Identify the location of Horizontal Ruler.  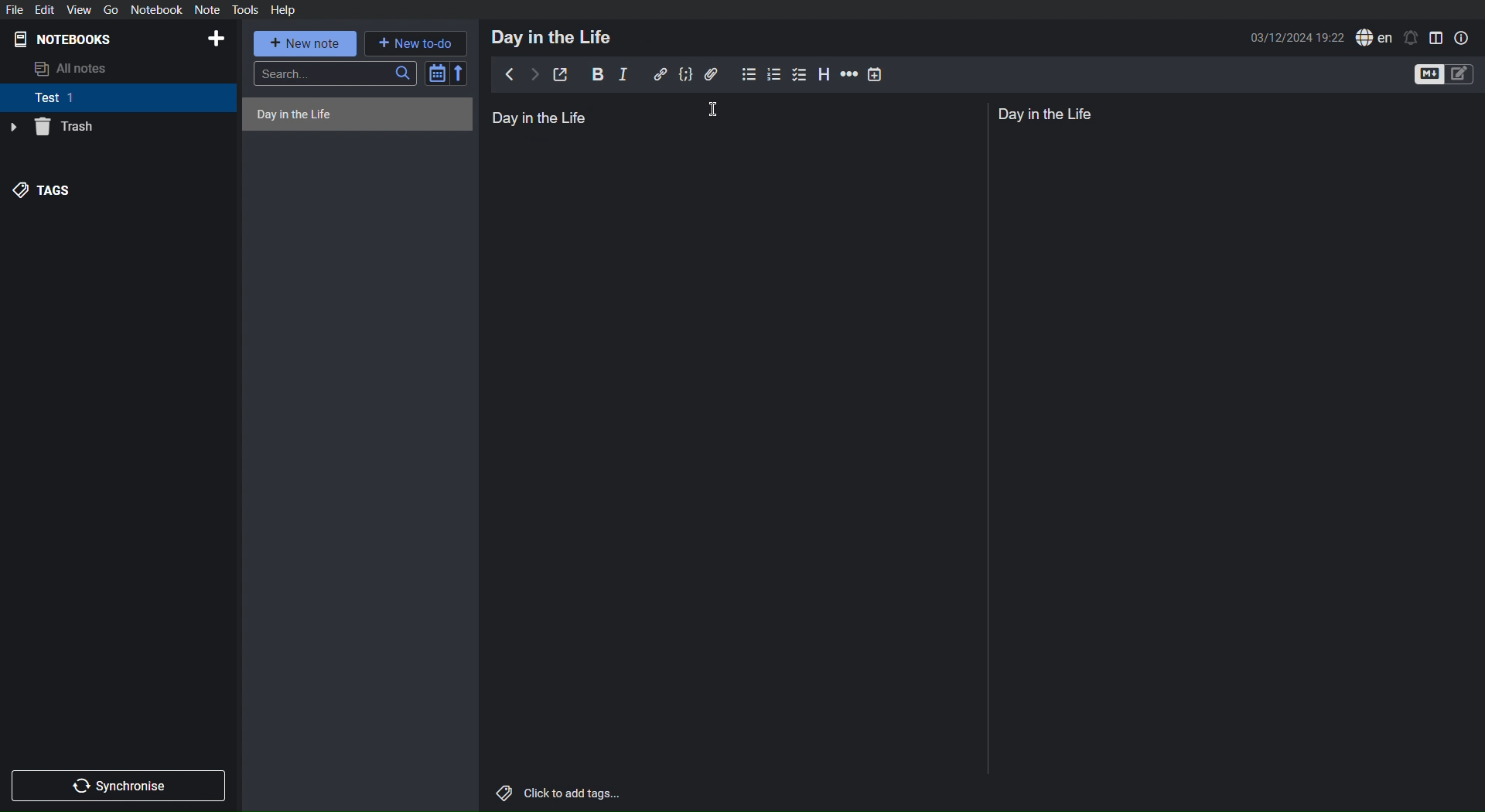
(848, 75).